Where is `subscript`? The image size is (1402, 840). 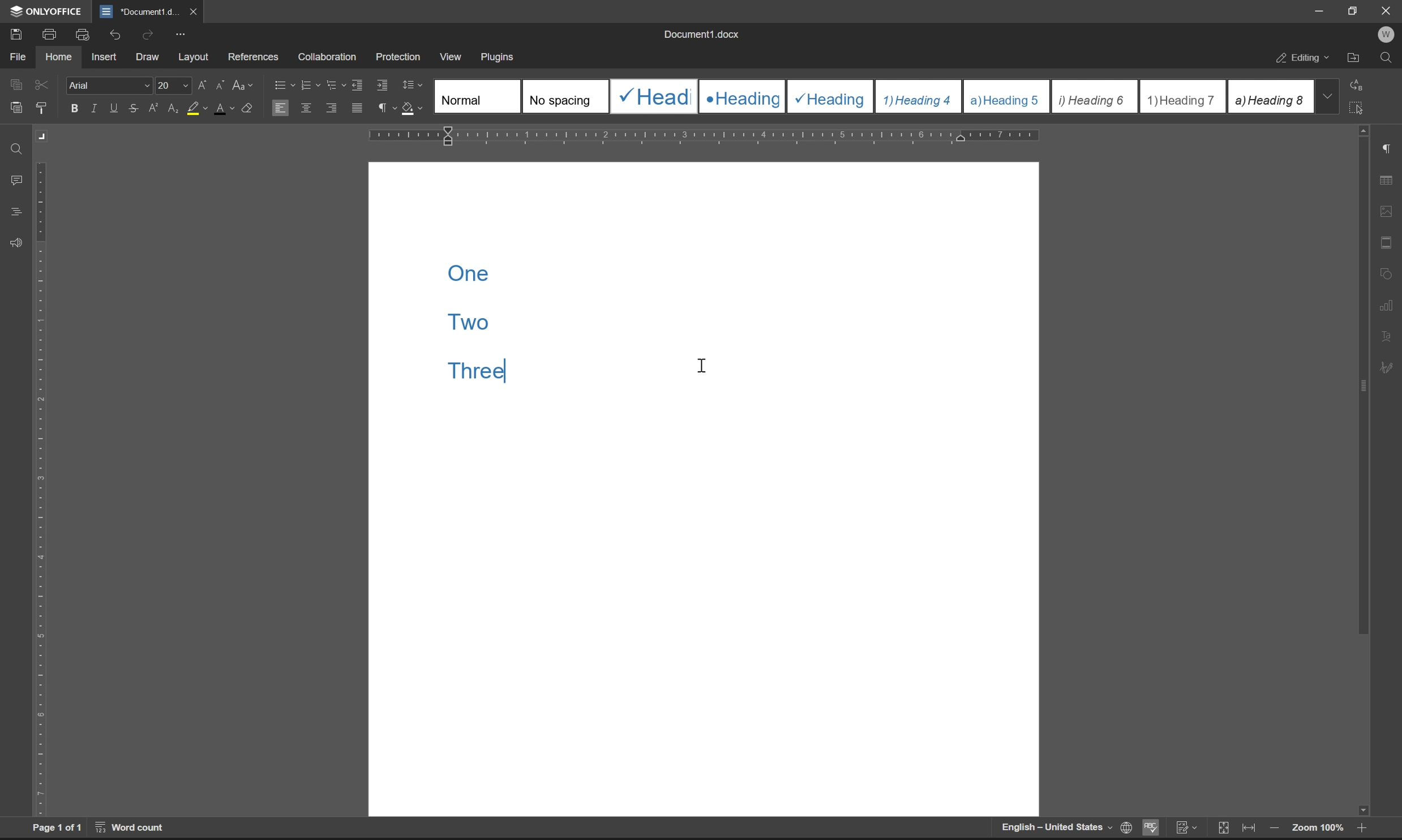
subscript is located at coordinates (174, 106).